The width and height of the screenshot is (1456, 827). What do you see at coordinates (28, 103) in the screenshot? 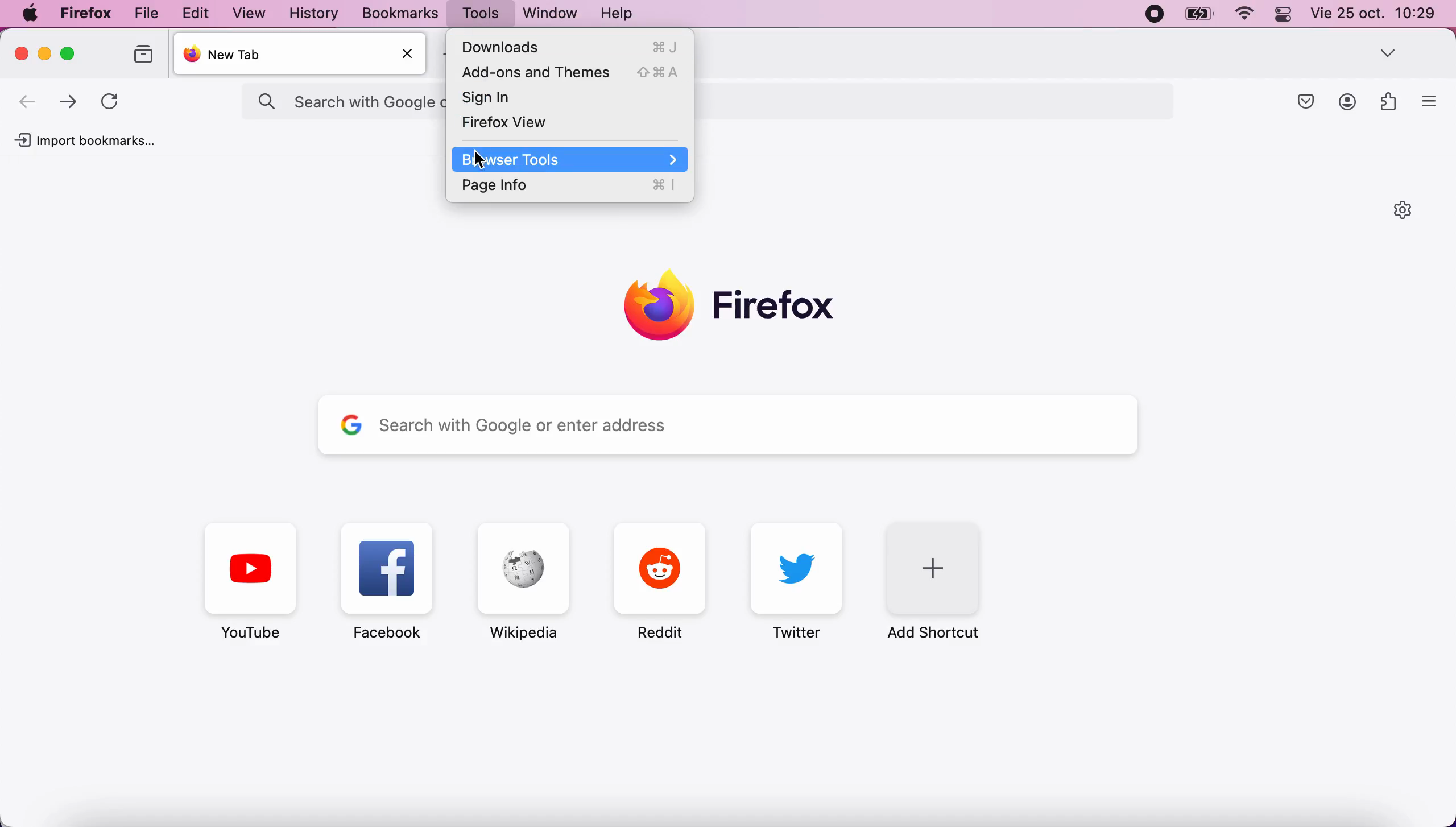
I see `Move backward` at bounding box center [28, 103].